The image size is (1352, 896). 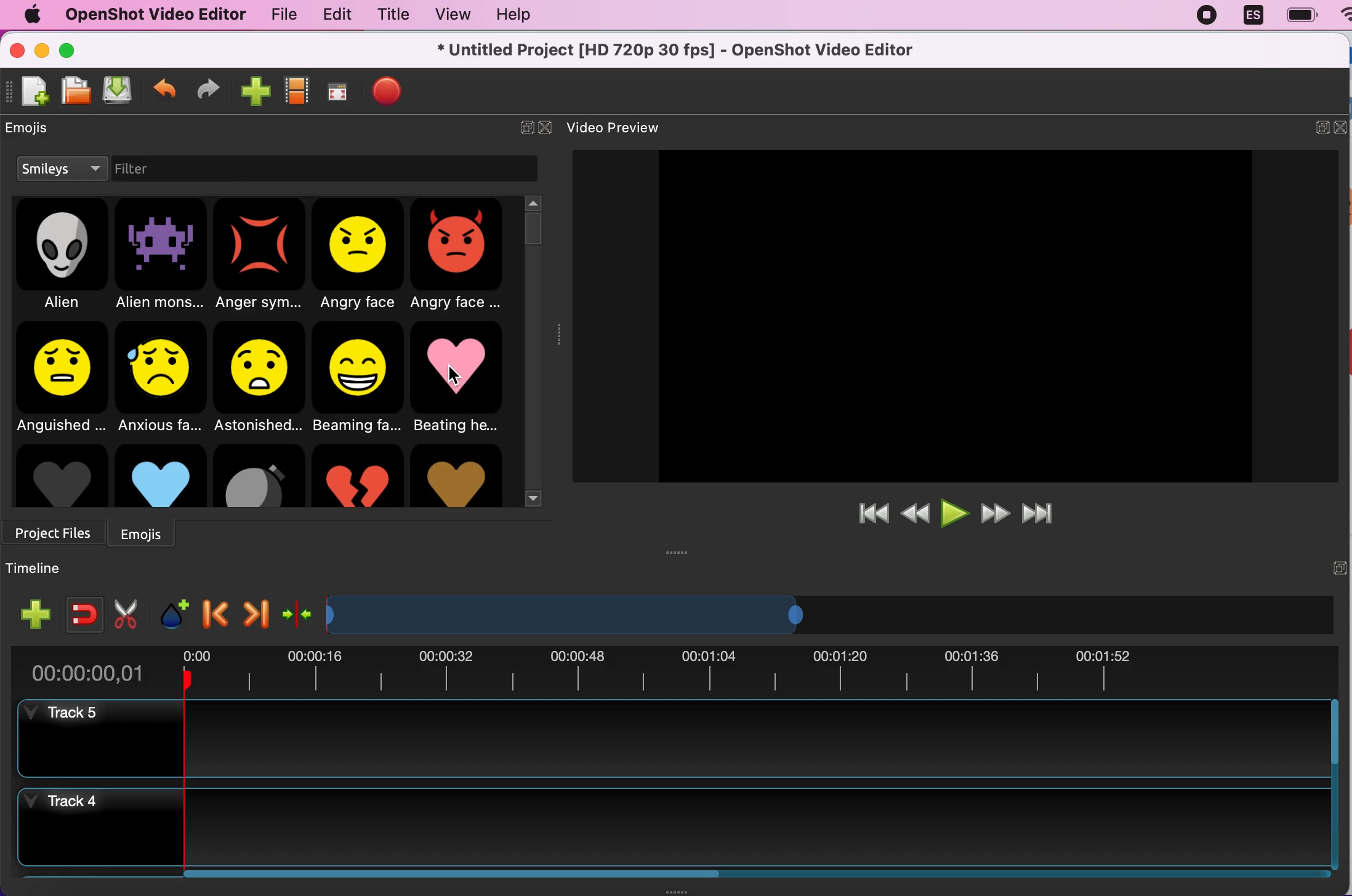 What do you see at coordinates (118, 91) in the screenshot?
I see `save file` at bounding box center [118, 91].